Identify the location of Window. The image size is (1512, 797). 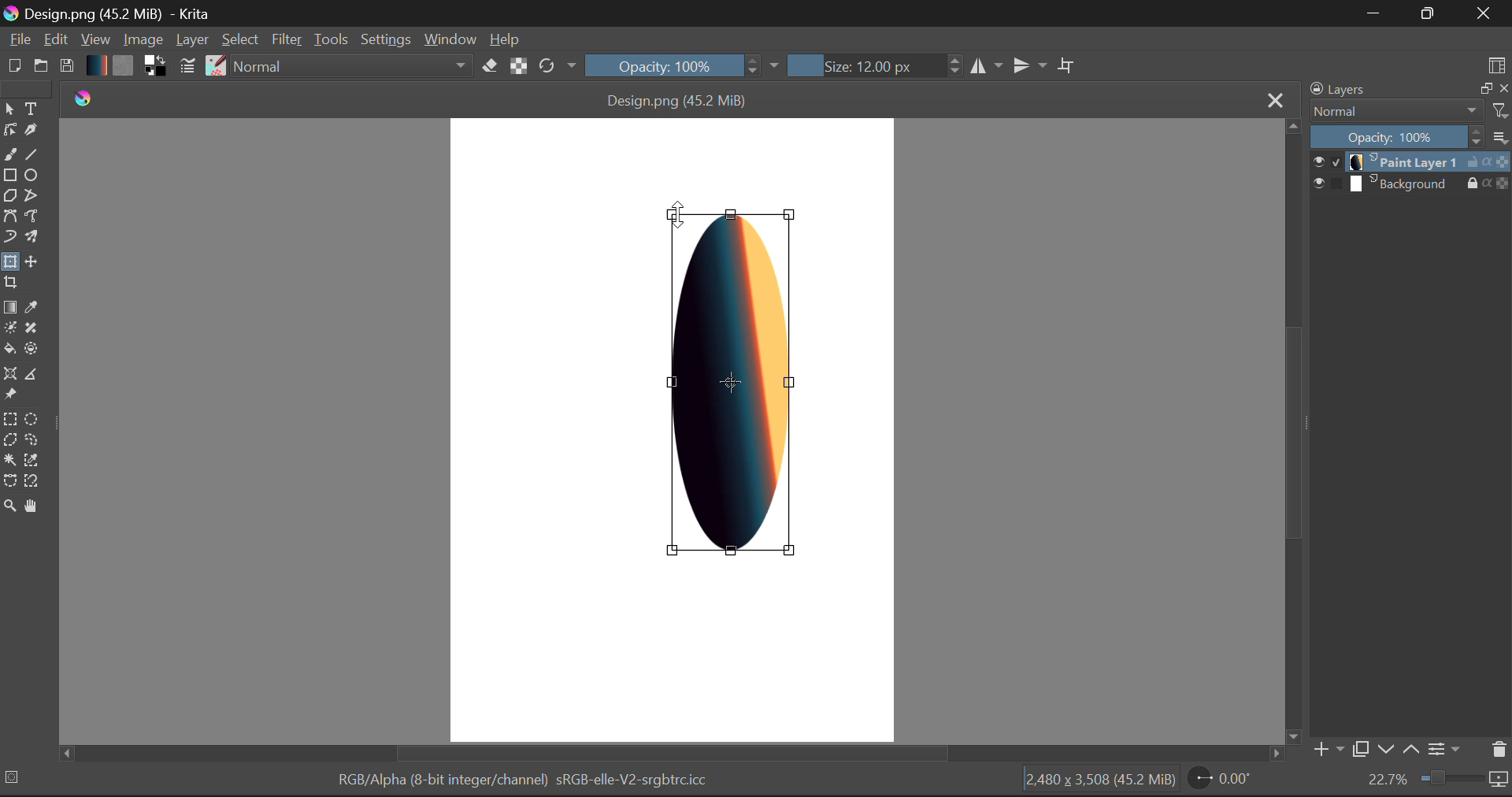
(450, 40).